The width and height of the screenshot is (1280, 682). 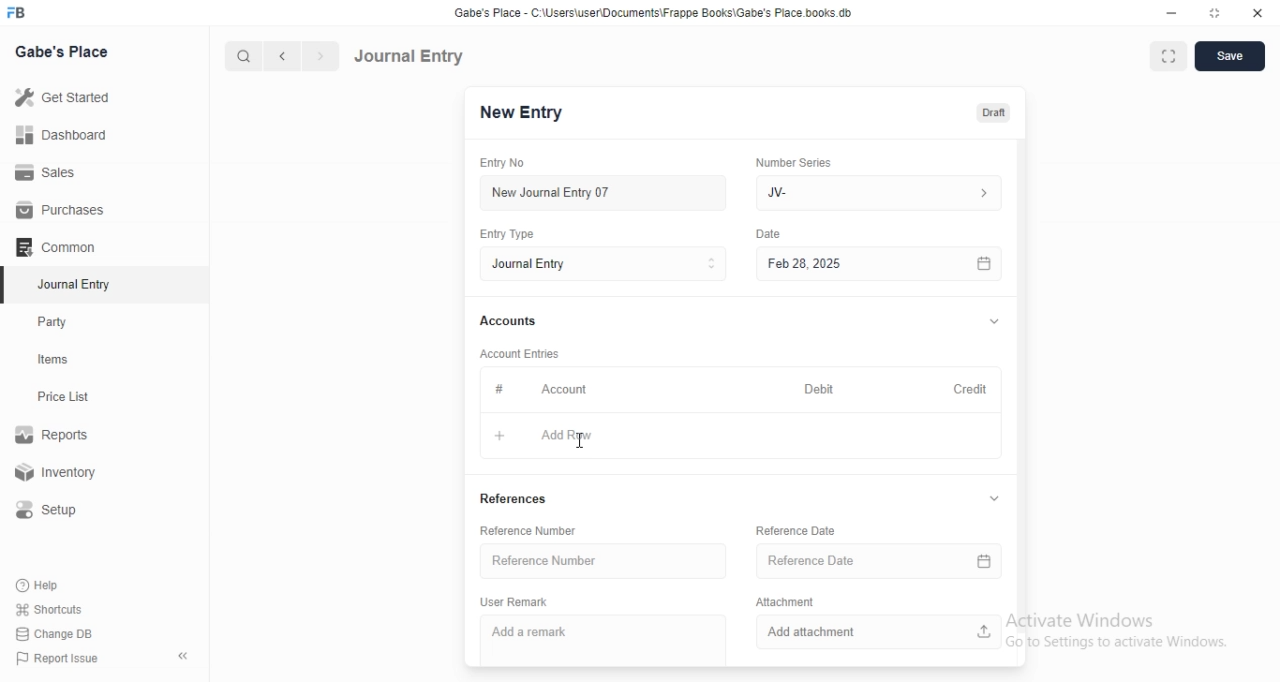 What do you see at coordinates (994, 318) in the screenshot?
I see `v` at bounding box center [994, 318].